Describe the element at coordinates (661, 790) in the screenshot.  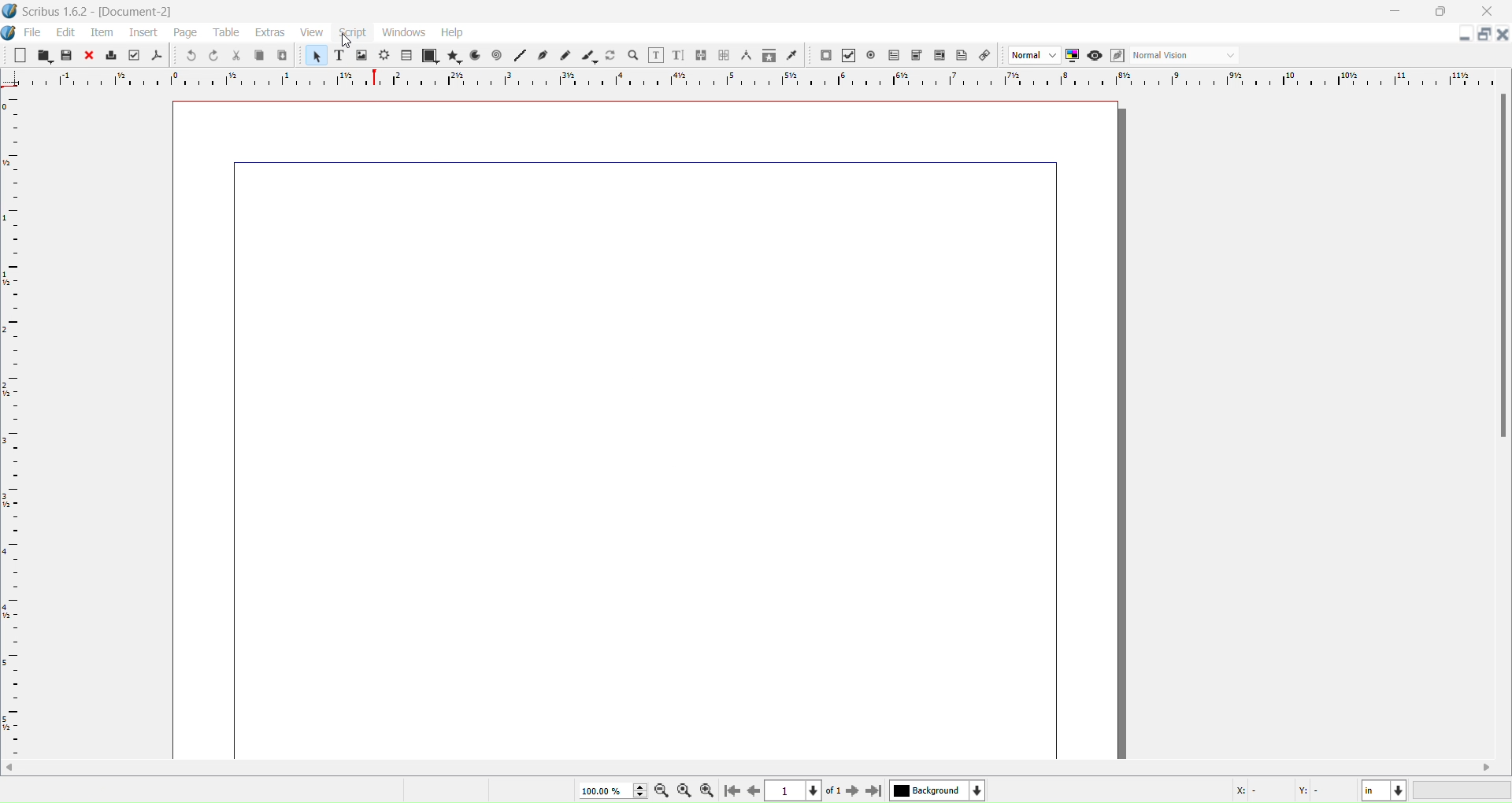
I see `Zoom out by the stepping value in the Tools preferences` at that location.